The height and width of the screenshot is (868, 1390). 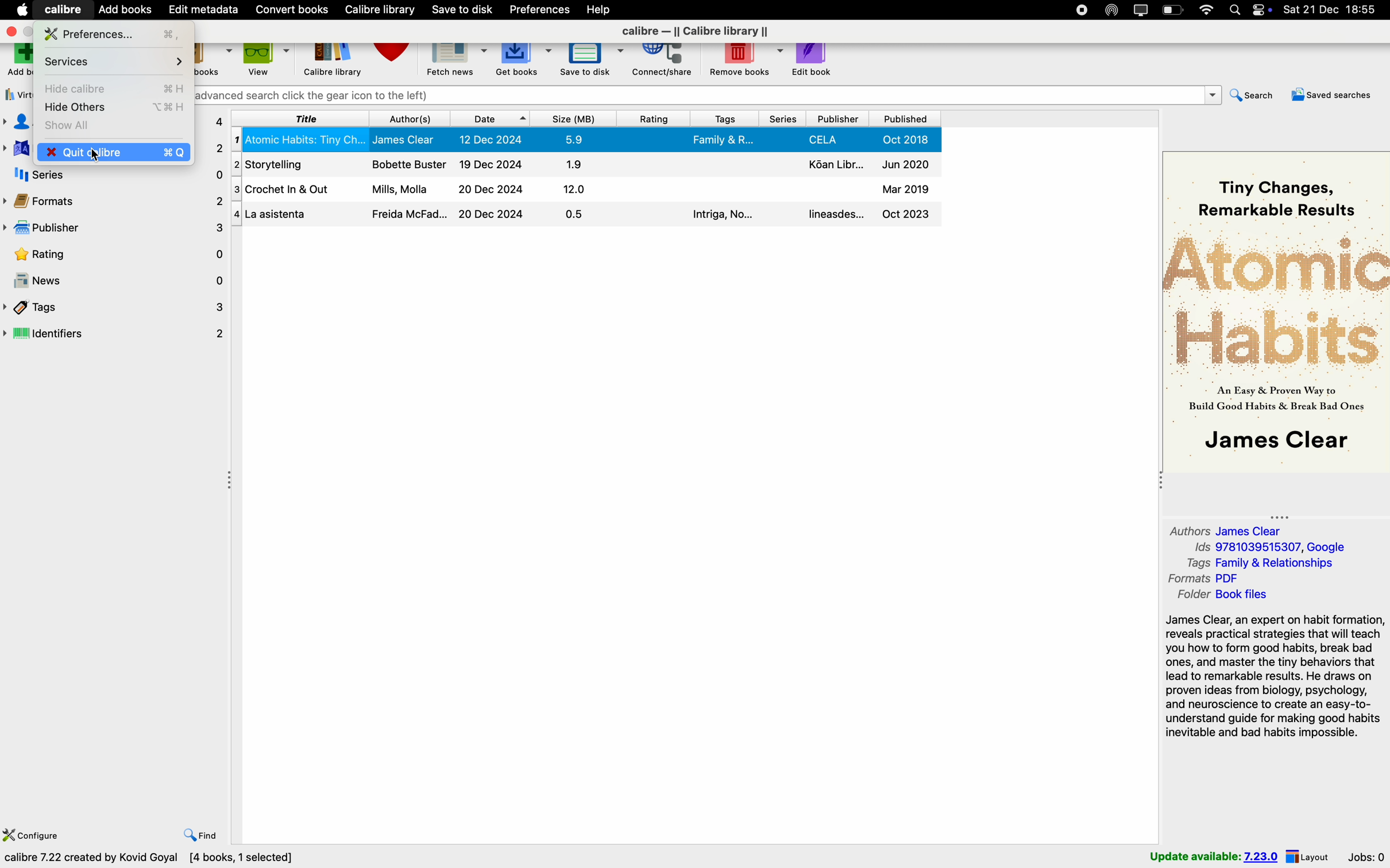 I want to click on languages, so click(x=15, y=149).